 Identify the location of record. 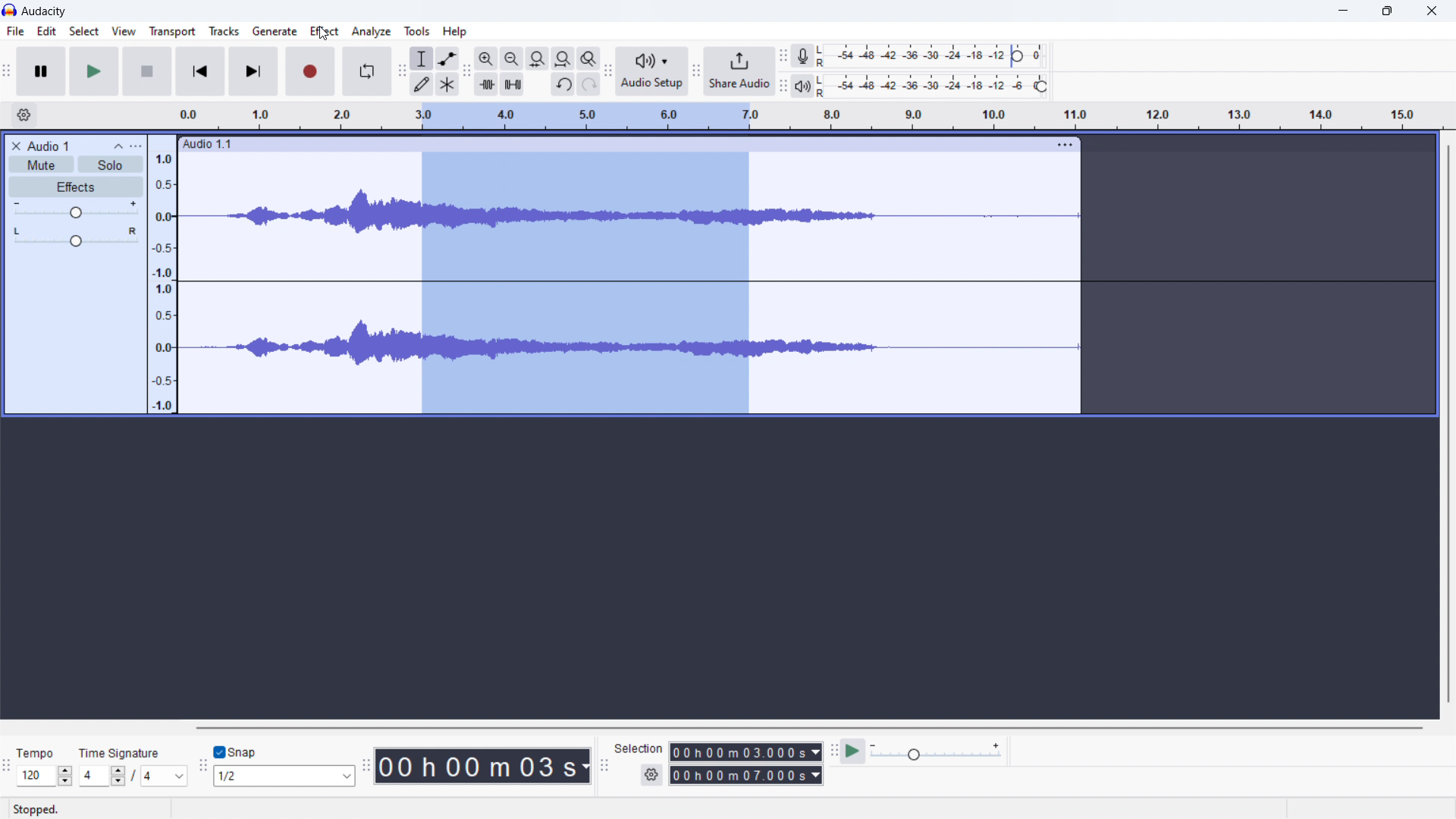
(309, 72).